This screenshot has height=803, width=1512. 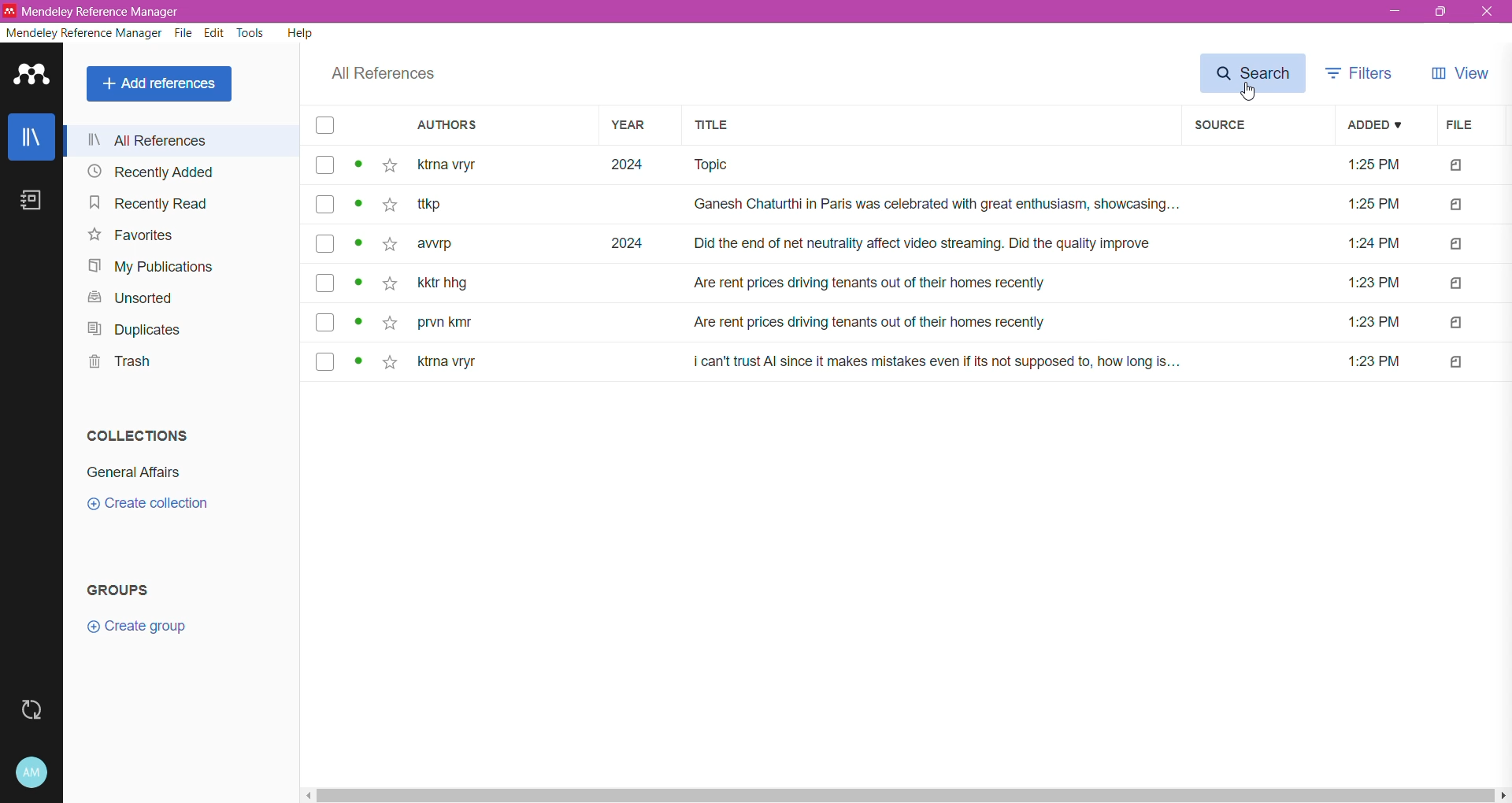 What do you see at coordinates (913, 362) in the screenshot?
I see `ktrna vryr i can't trust Al since it makes mistakes even if its not supposed to, how long is... 1:23 PM` at bounding box center [913, 362].